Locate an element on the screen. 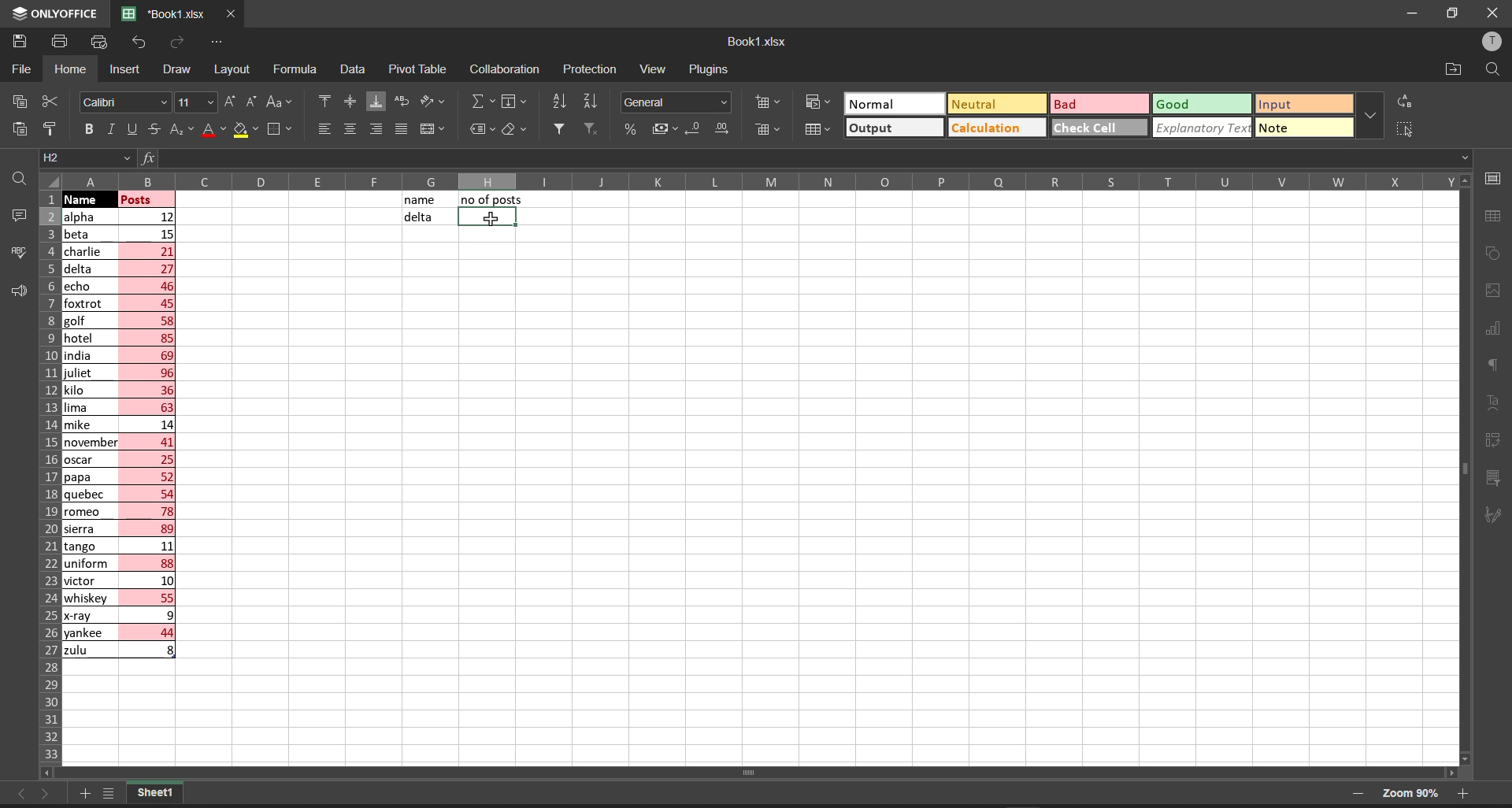 The image size is (1512, 808). spell checking is located at coordinates (15, 252).